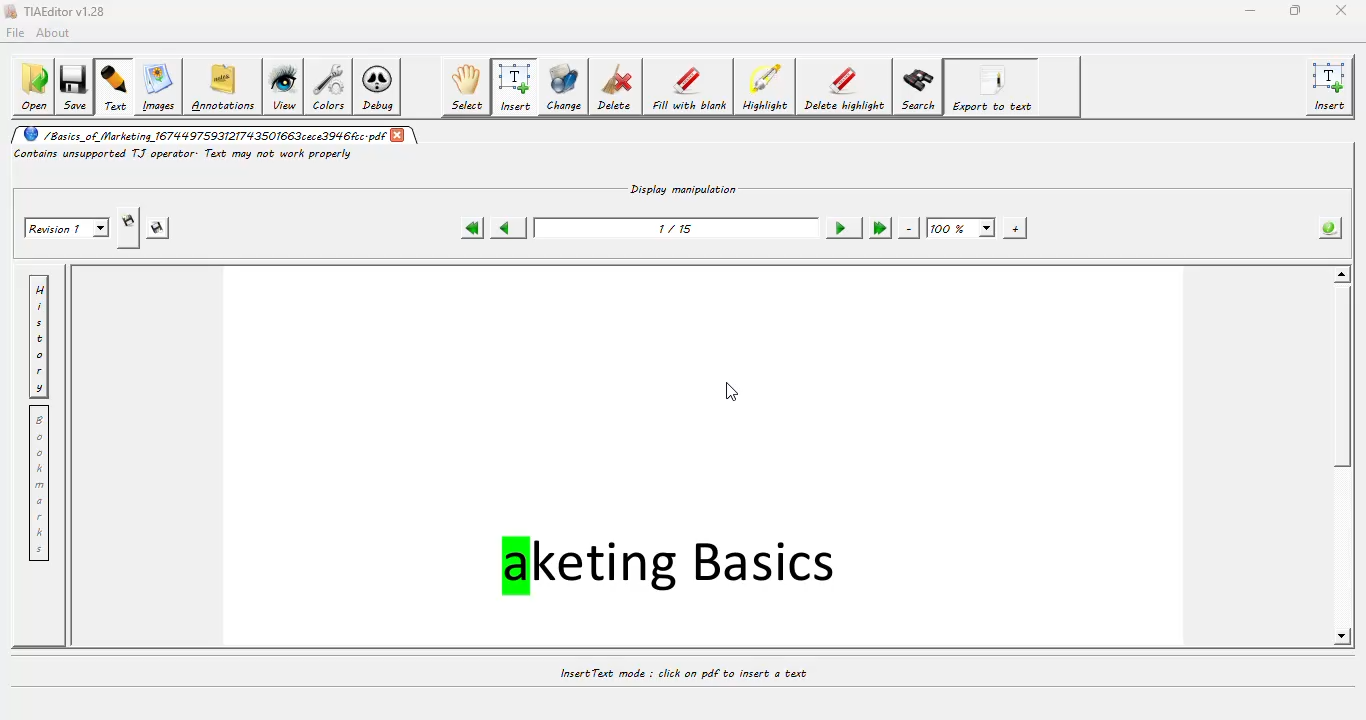  I want to click on creates new revision, so click(128, 221).